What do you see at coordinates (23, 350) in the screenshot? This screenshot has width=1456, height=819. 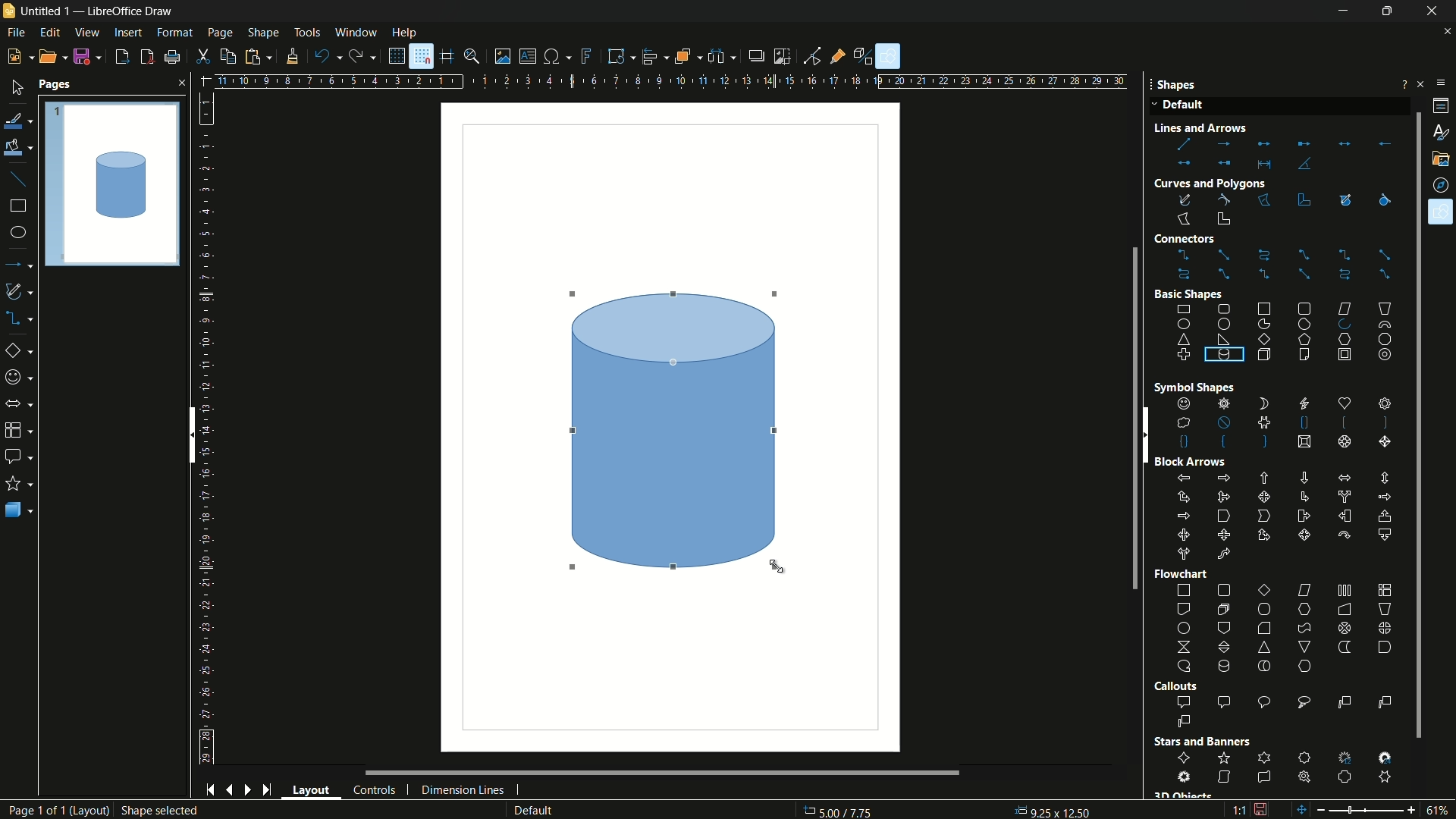 I see `basic shapes` at bounding box center [23, 350].